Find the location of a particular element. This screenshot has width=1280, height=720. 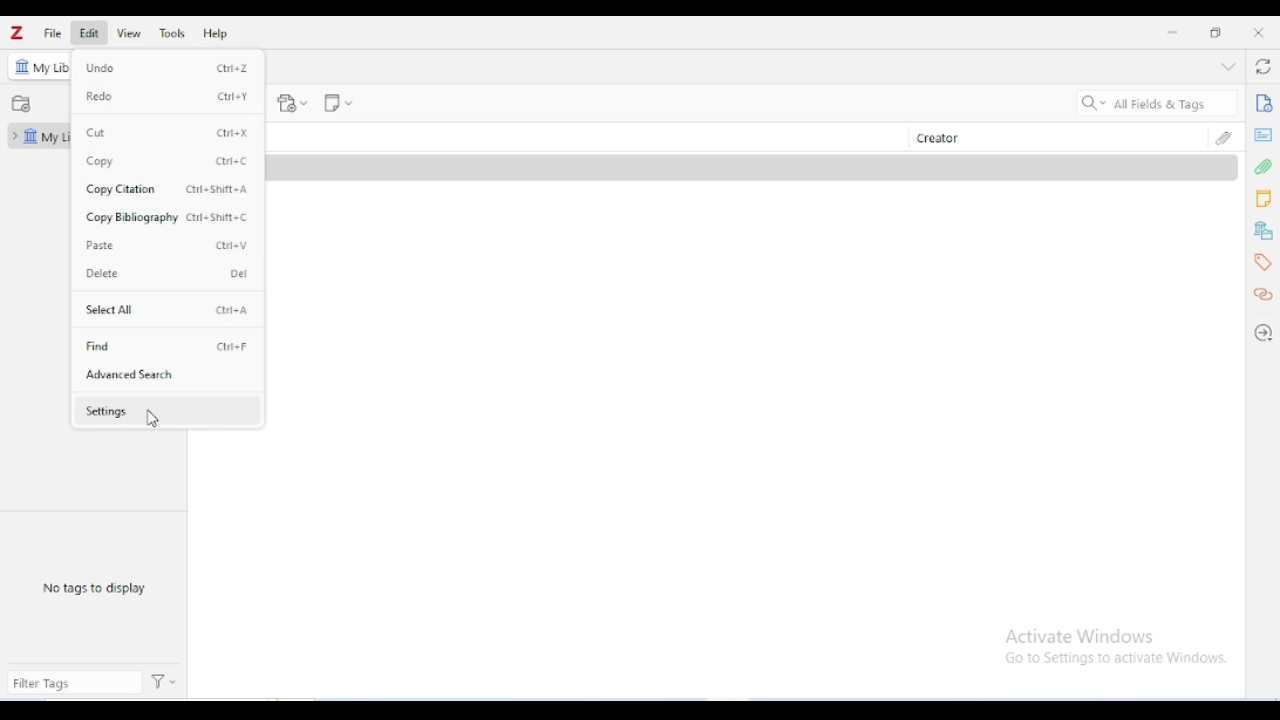

libraries and collections is located at coordinates (1263, 231).